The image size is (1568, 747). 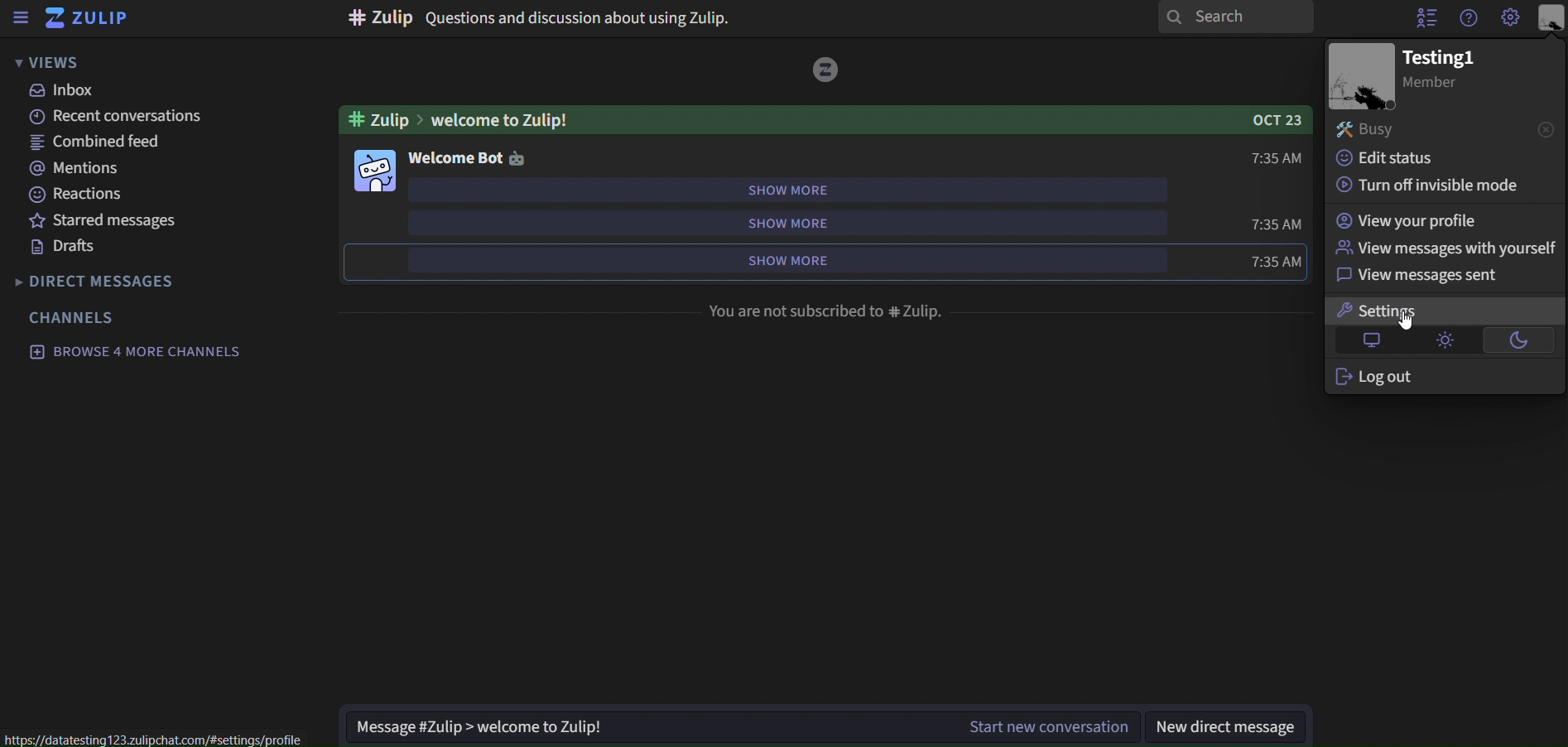 I want to click on view your profile, so click(x=1442, y=221).